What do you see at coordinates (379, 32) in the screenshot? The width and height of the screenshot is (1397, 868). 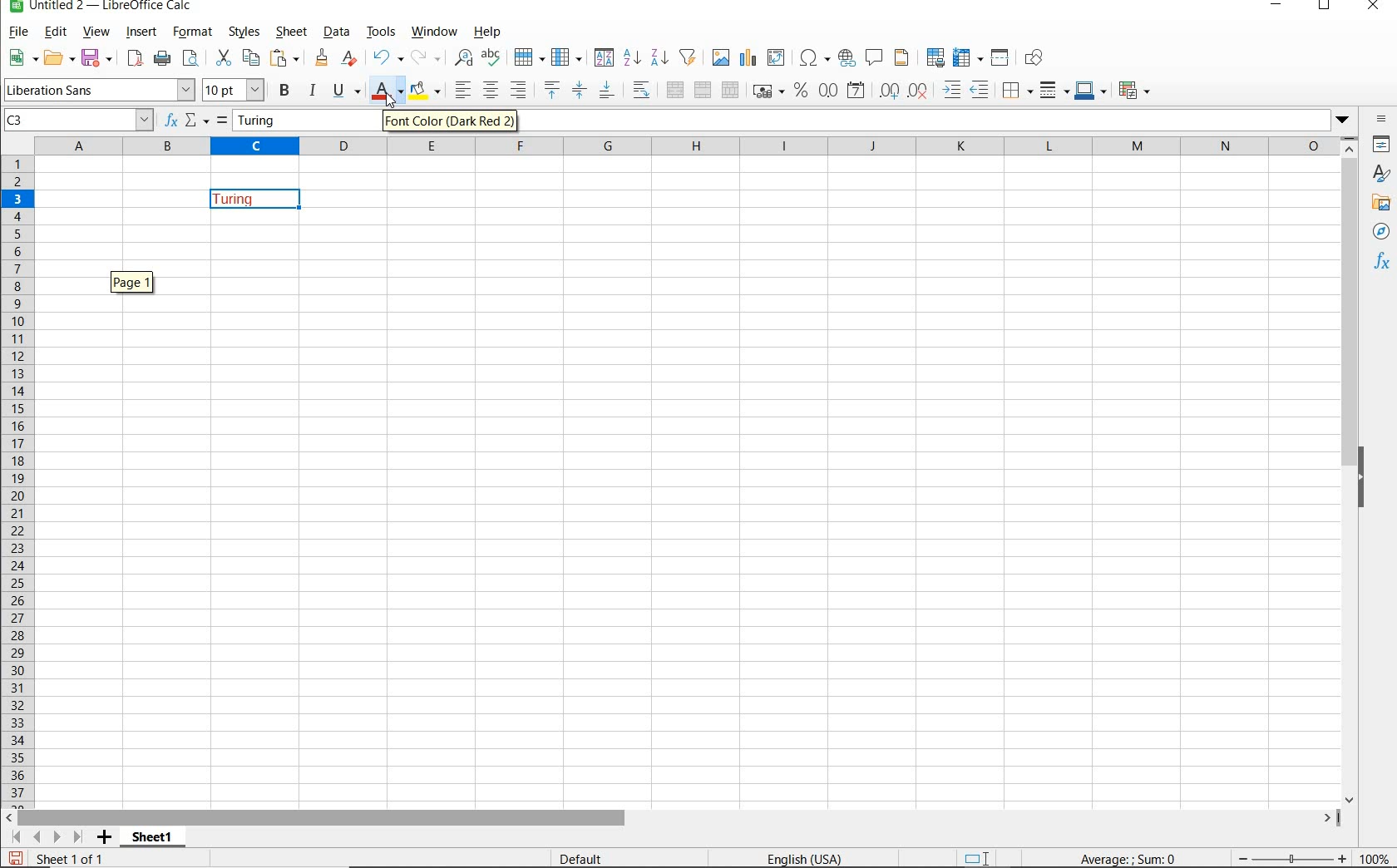 I see `TOOLS` at bounding box center [379, 32].